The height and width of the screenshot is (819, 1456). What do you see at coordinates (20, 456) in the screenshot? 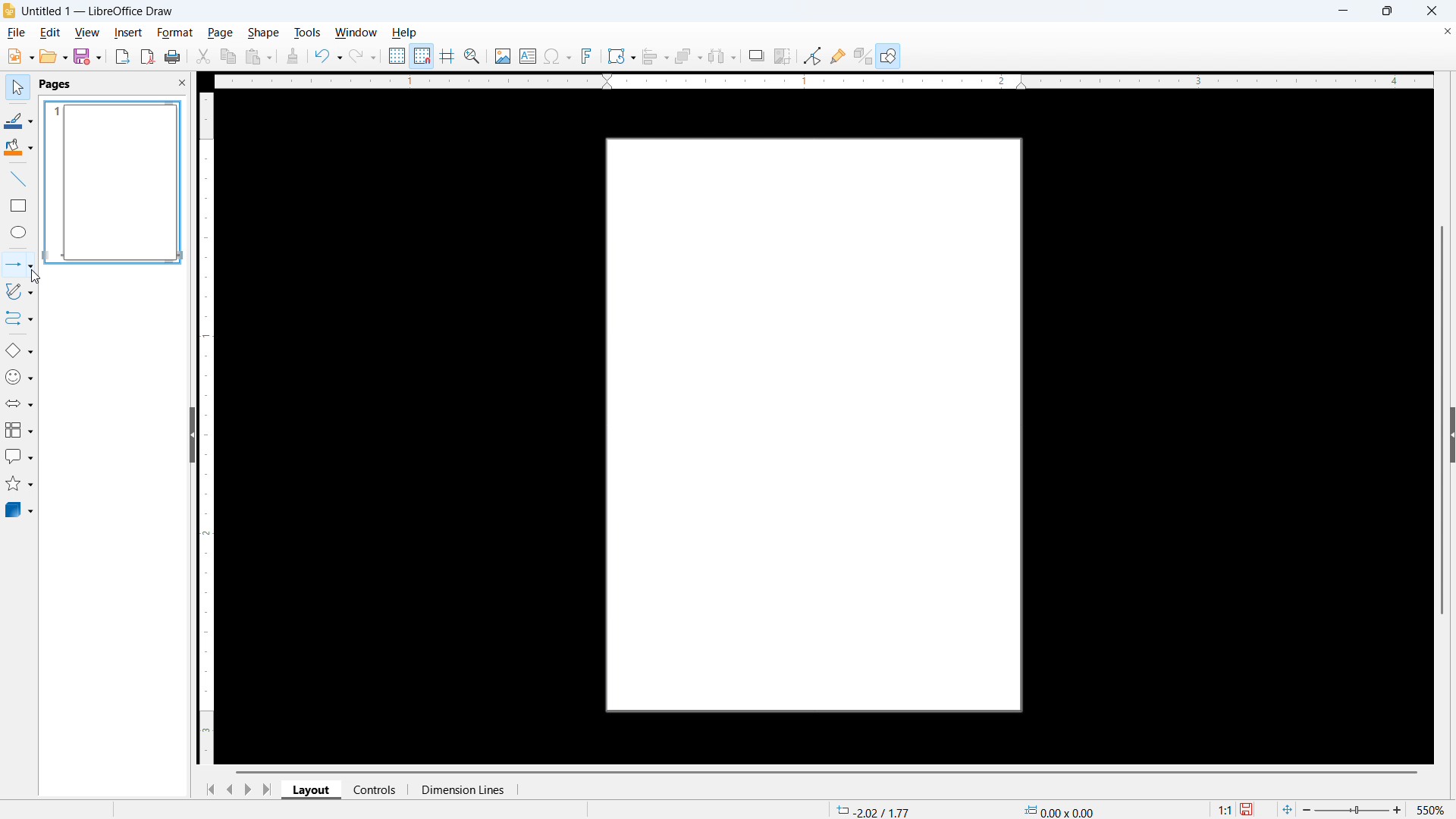
I see `Insert call out shapes ` at bounding box center [20, 456].